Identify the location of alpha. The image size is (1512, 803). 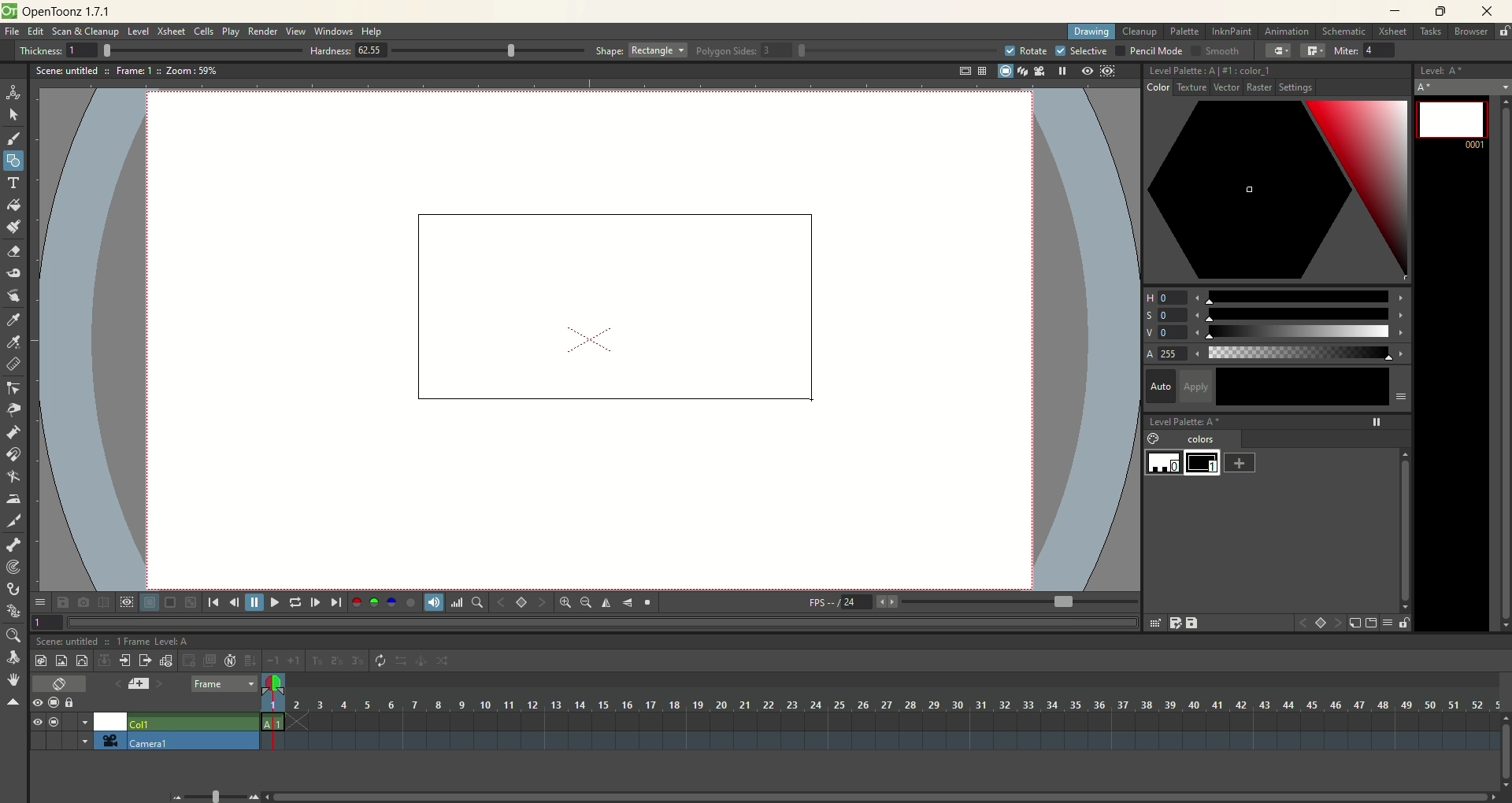
(1277, 354).